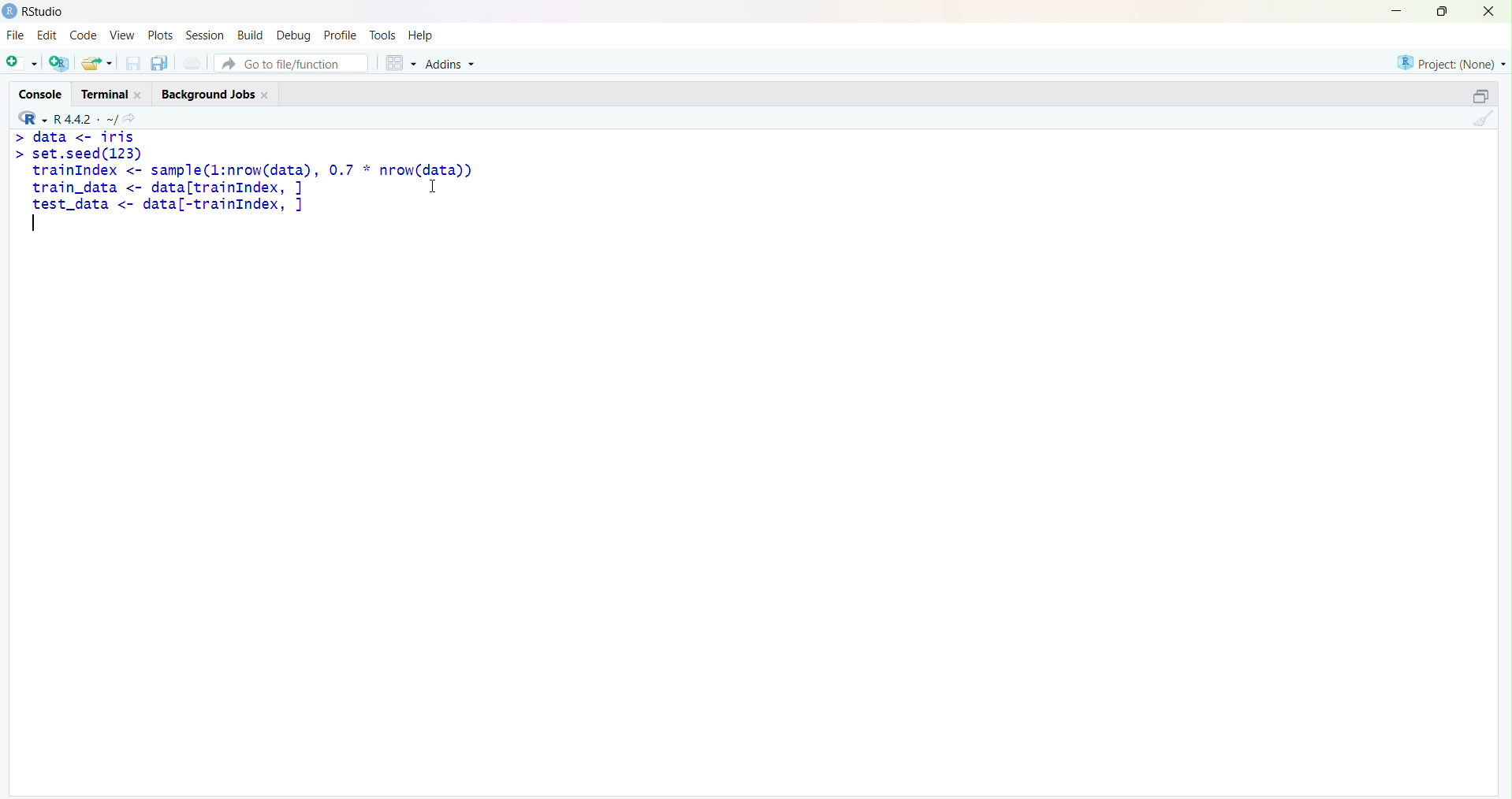  I want to click on Print the current file, so click(192, 64).